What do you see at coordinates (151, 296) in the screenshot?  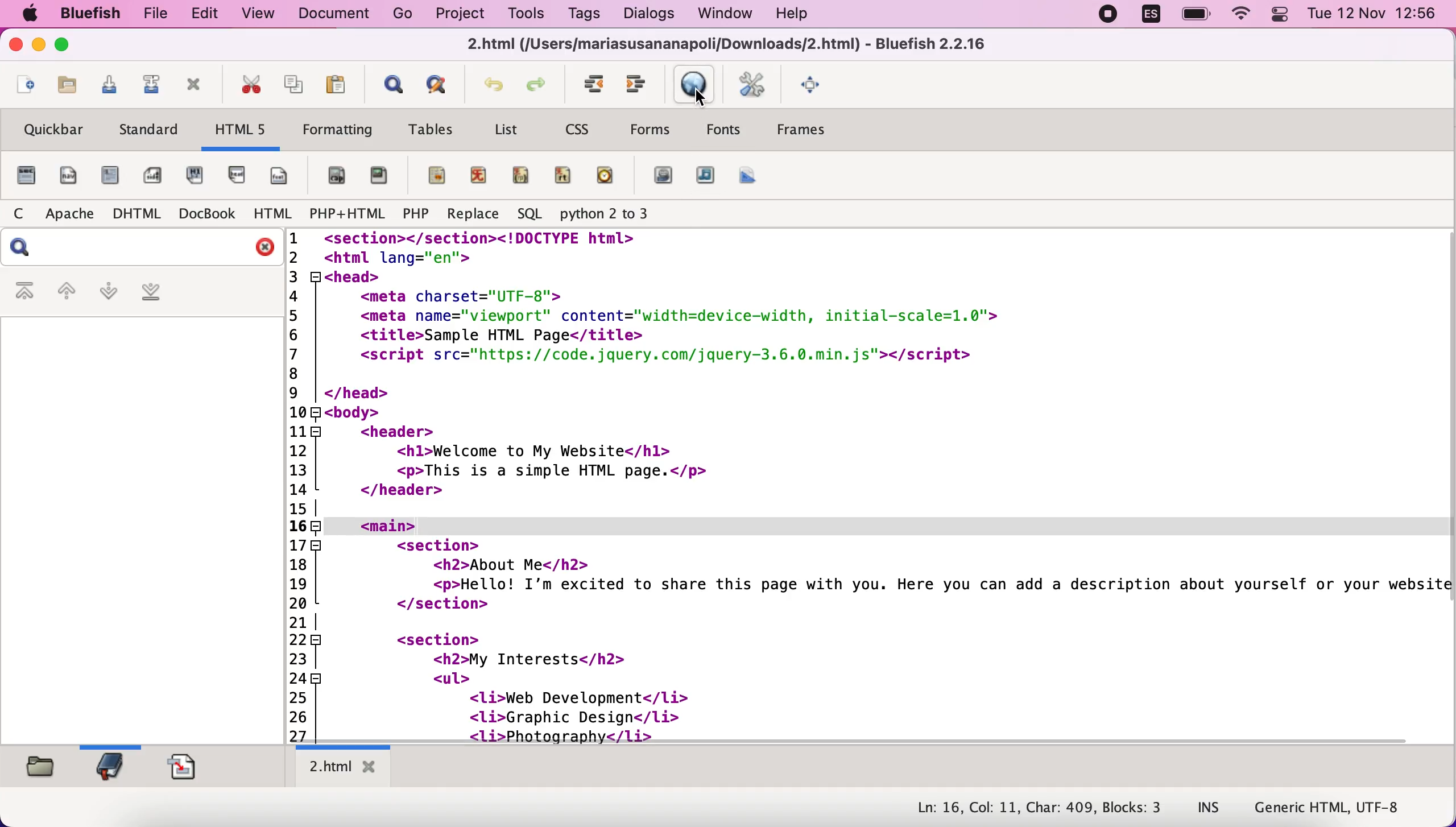 I see `last bookmark` at bounding box center [151, 296].